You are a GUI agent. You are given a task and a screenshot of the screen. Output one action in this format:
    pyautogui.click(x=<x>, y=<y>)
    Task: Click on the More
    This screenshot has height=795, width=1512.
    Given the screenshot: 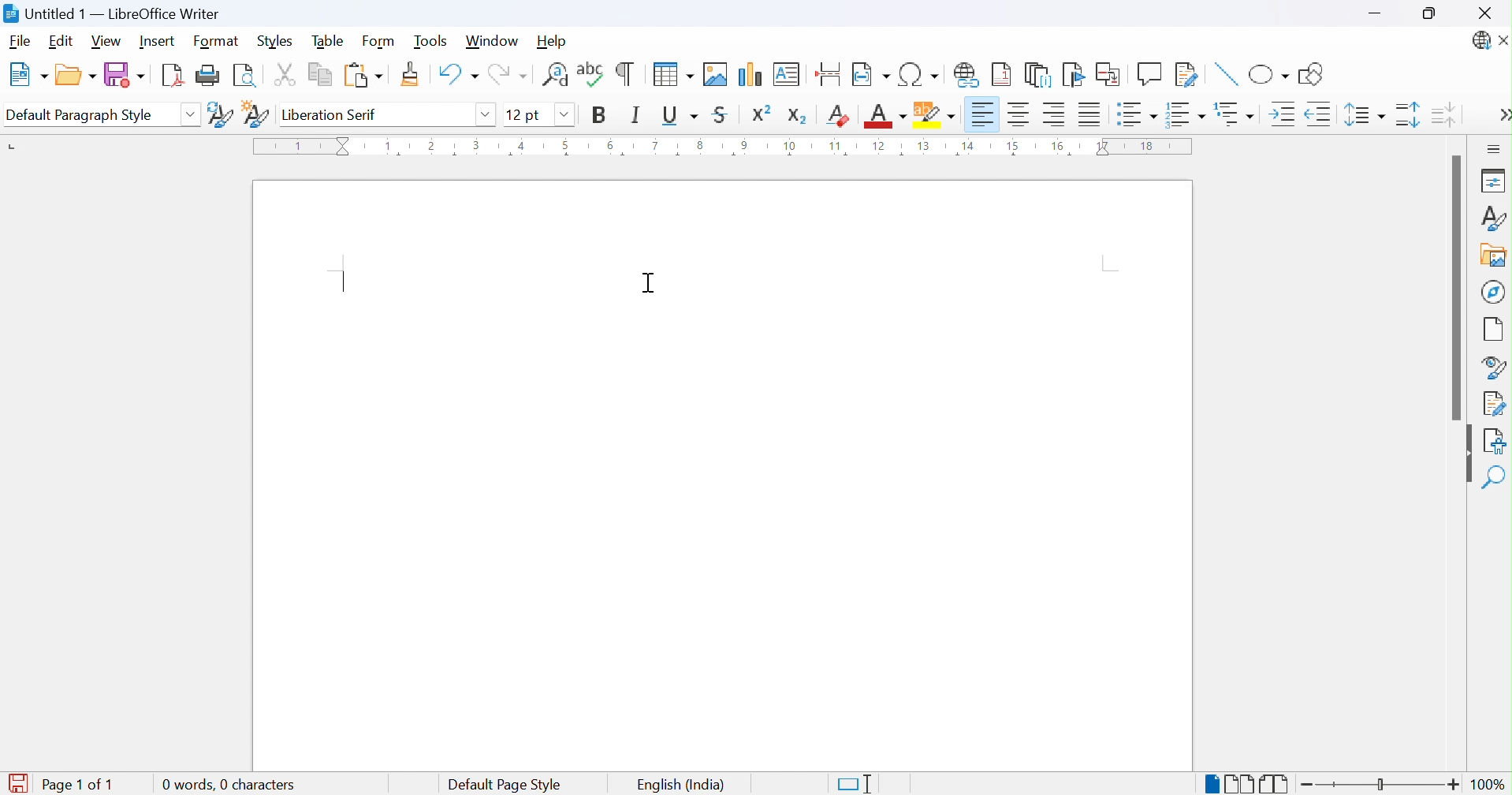 What is the action you would take?
    pyautogui.click(x=1503, y=114)
    